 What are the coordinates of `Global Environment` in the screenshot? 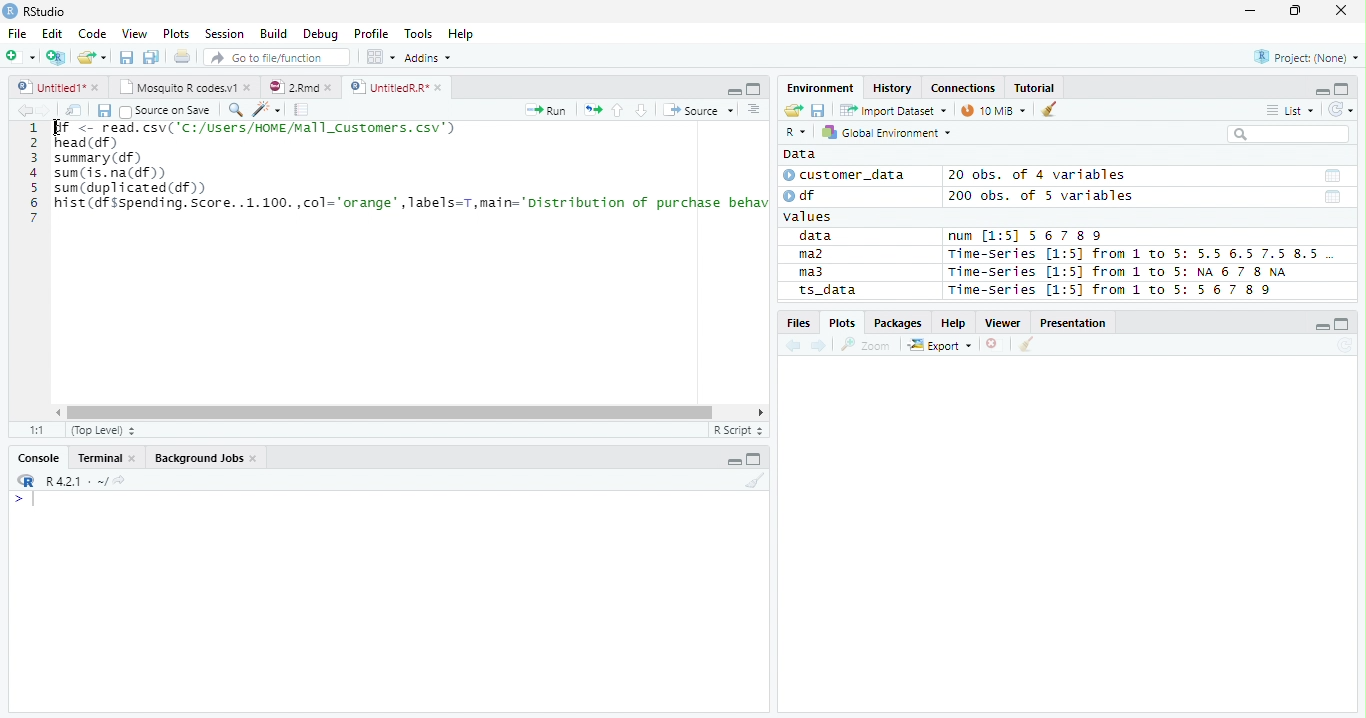 It's located at (887, 132).